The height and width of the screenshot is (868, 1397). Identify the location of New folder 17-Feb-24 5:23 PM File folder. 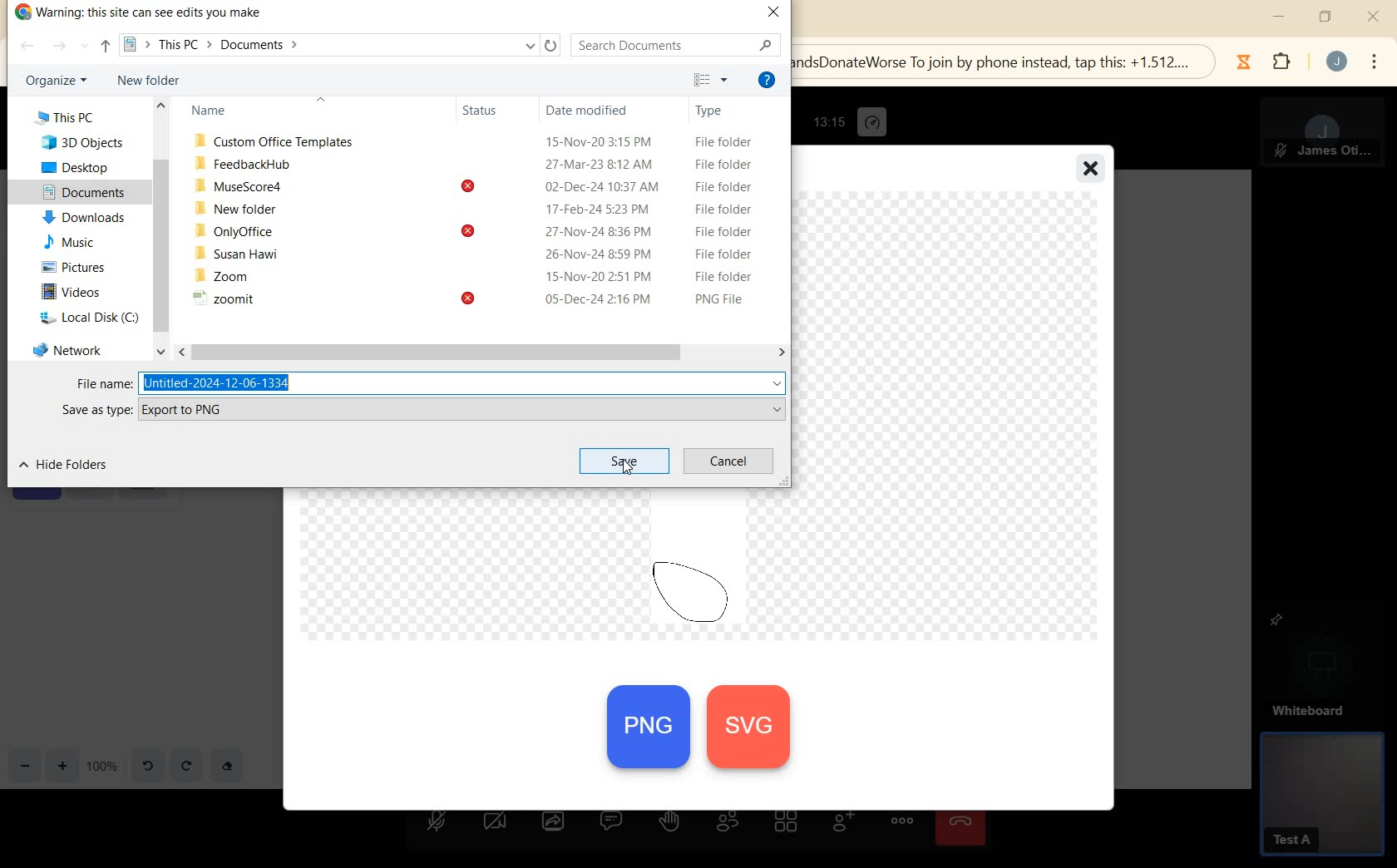
(272, 209).